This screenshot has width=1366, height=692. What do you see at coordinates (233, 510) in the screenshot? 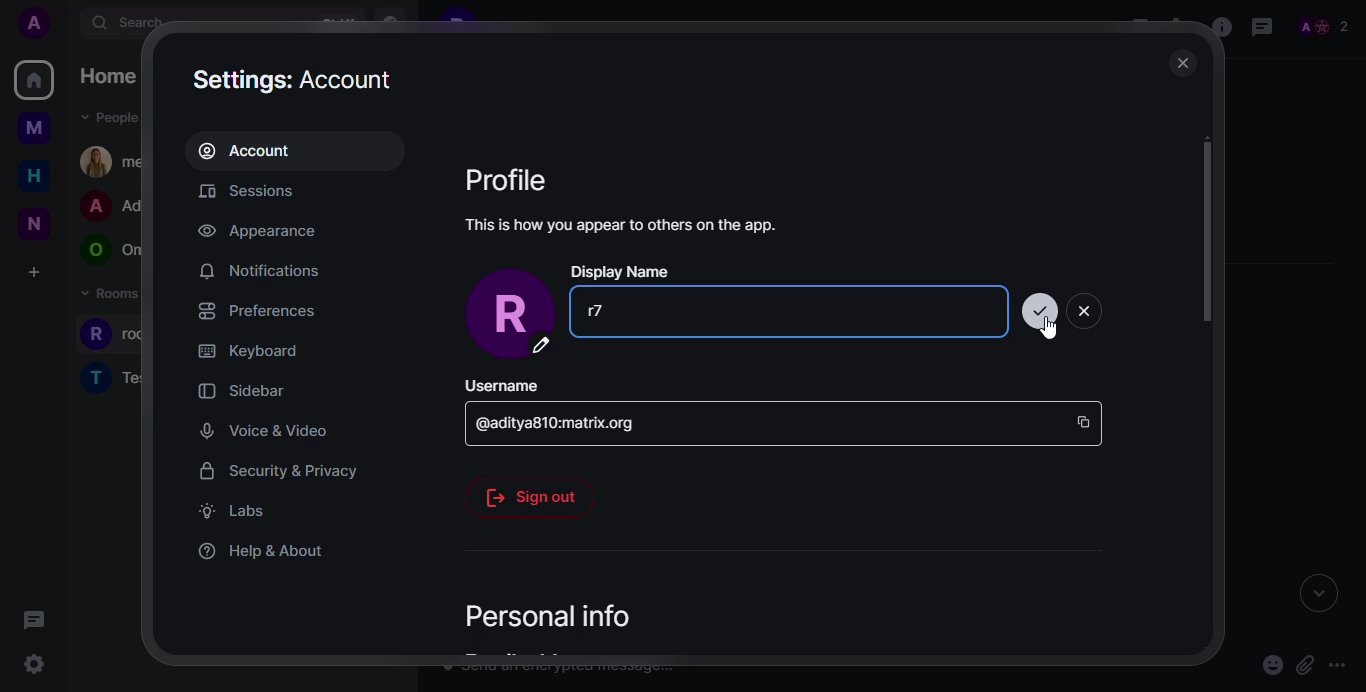
I see `labs` at bounding box center [233, 510].